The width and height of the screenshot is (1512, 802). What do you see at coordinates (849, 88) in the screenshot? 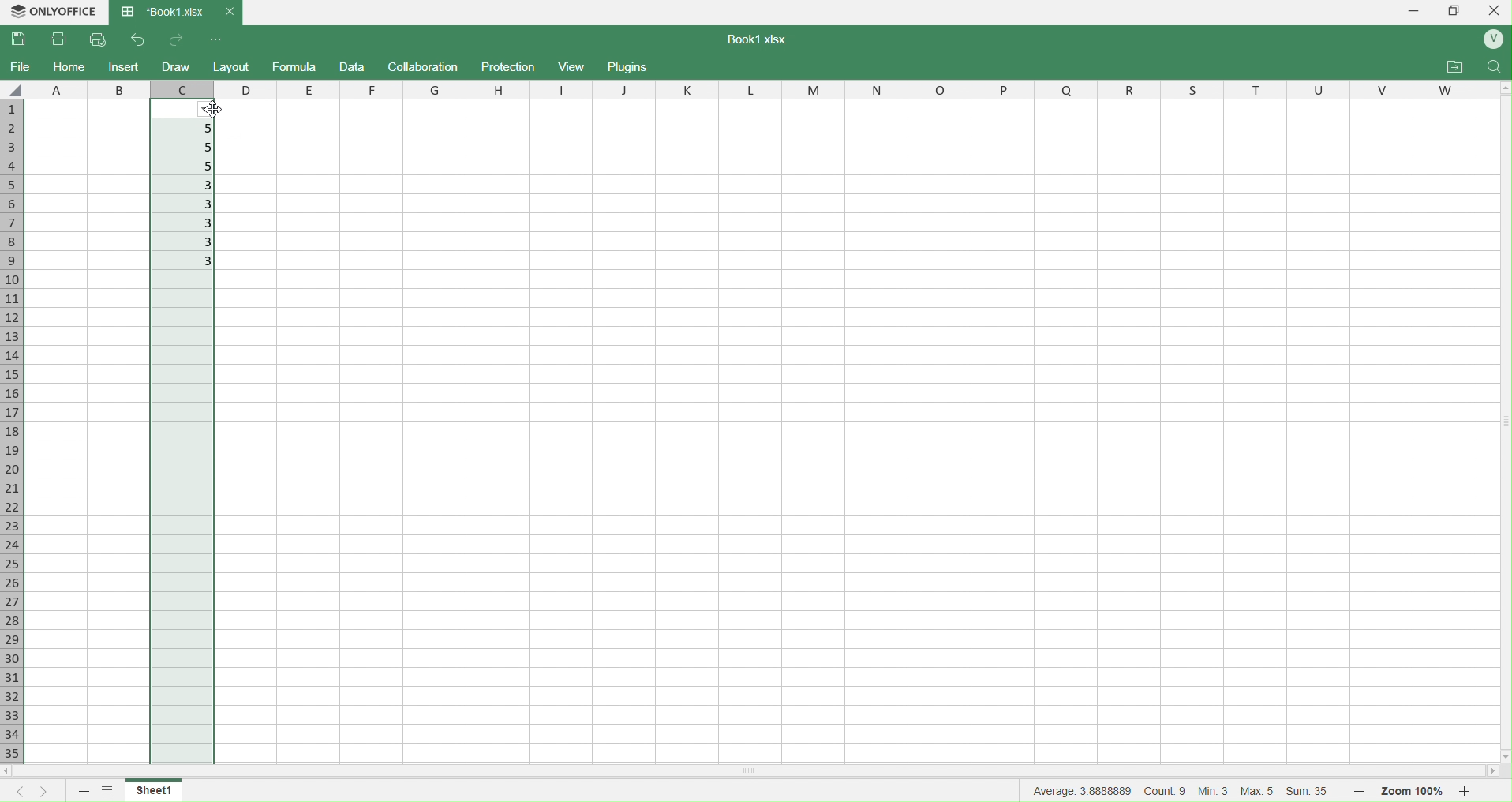
I see `columns` at bounding box center [849, 88].